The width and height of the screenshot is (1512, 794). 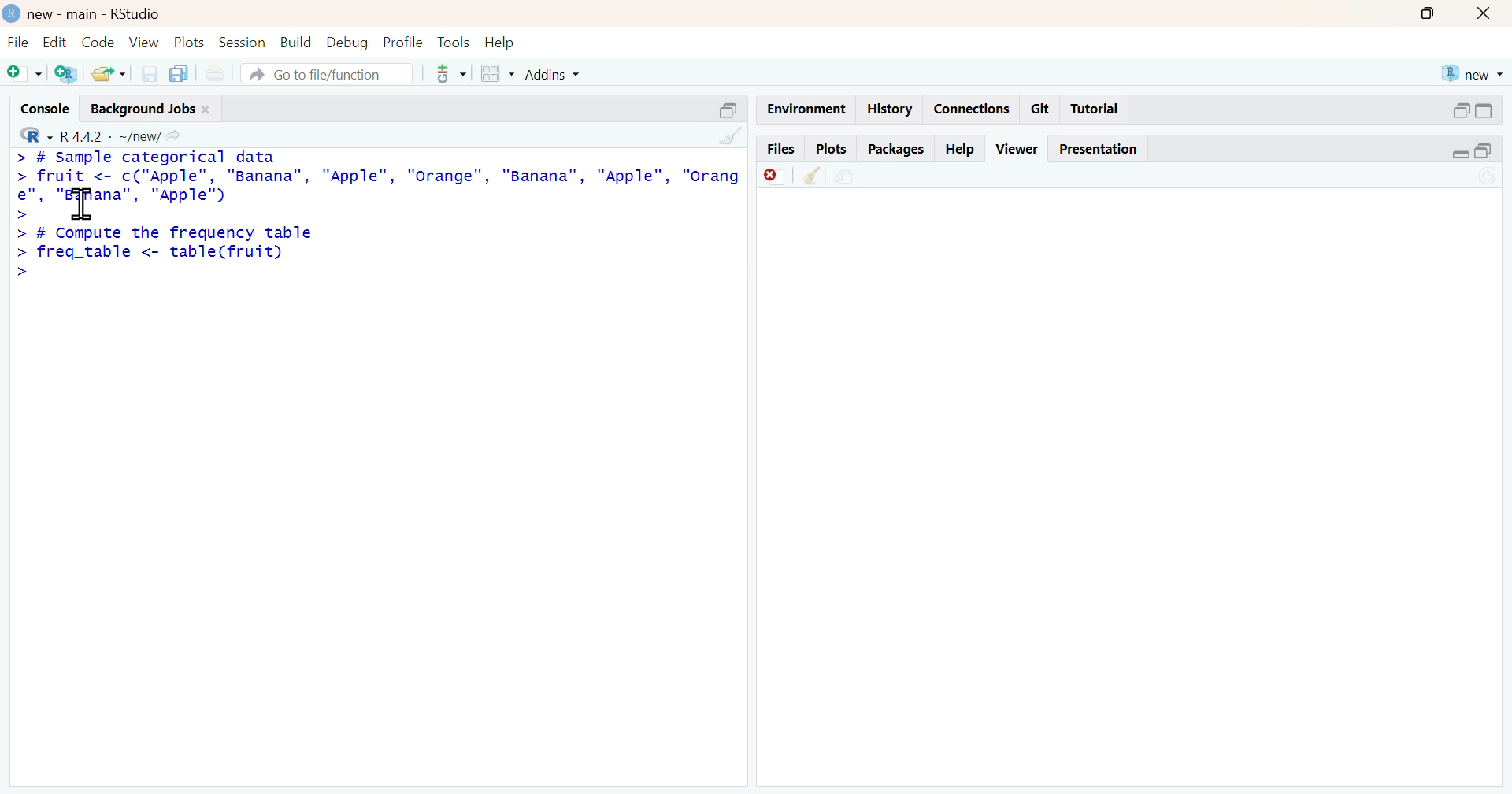 I want to click on collapse, so click(x=732, y=113).